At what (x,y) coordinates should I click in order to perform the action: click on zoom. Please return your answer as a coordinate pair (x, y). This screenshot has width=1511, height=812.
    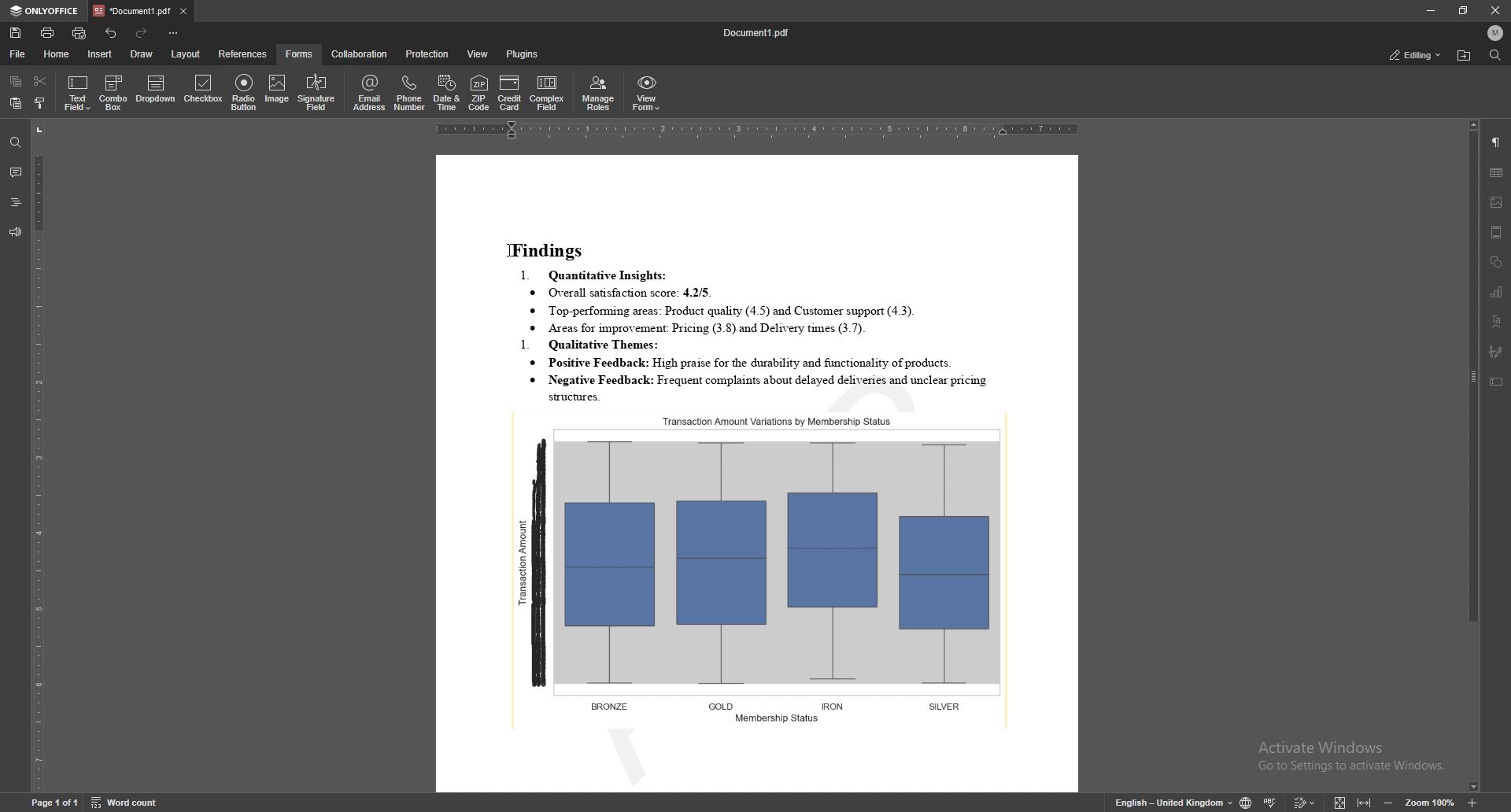
    Looking at the image, I should click on (1429, 803).